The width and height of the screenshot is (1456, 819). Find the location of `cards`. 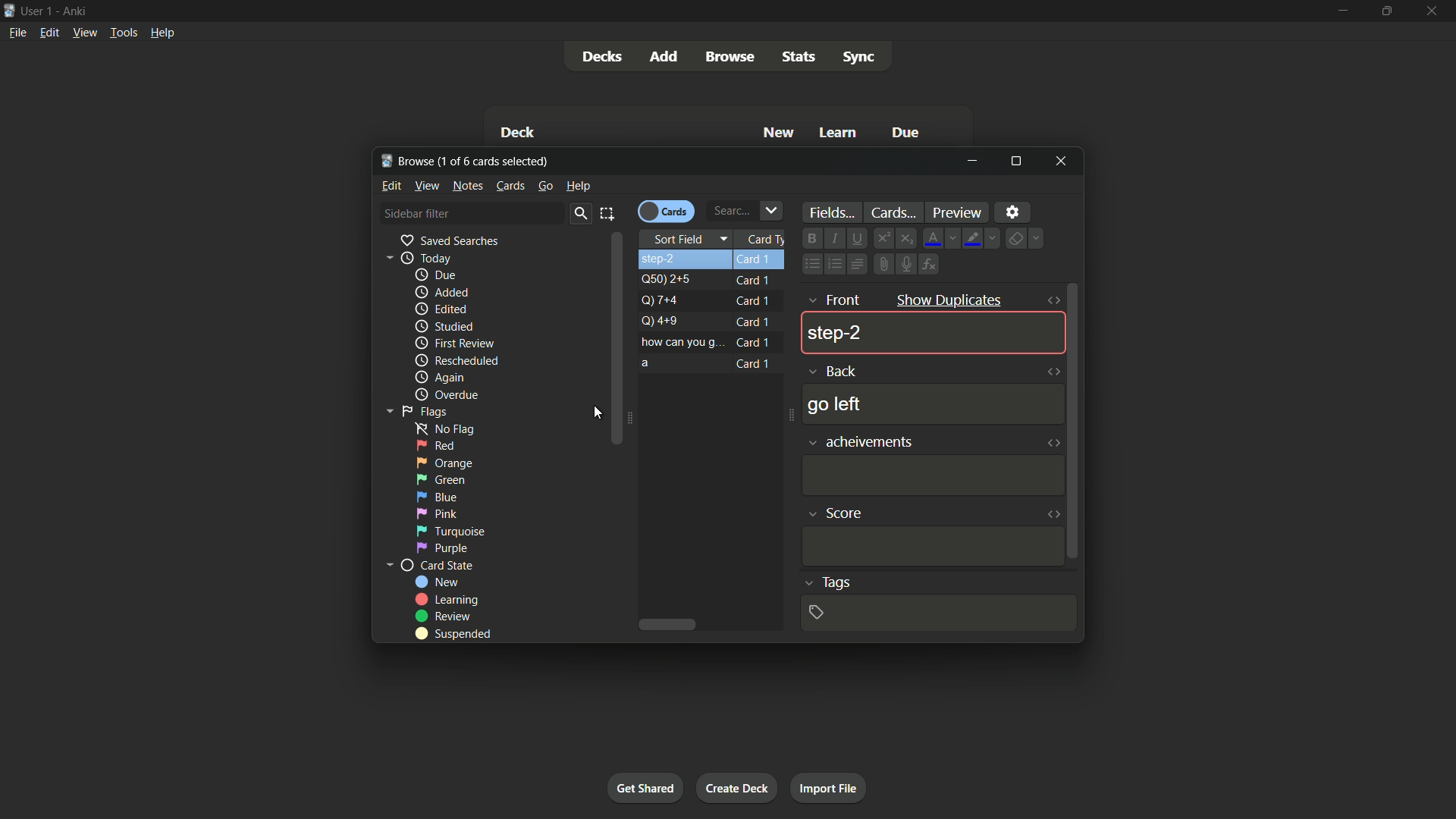

cards is located at coordinates (893, 212).